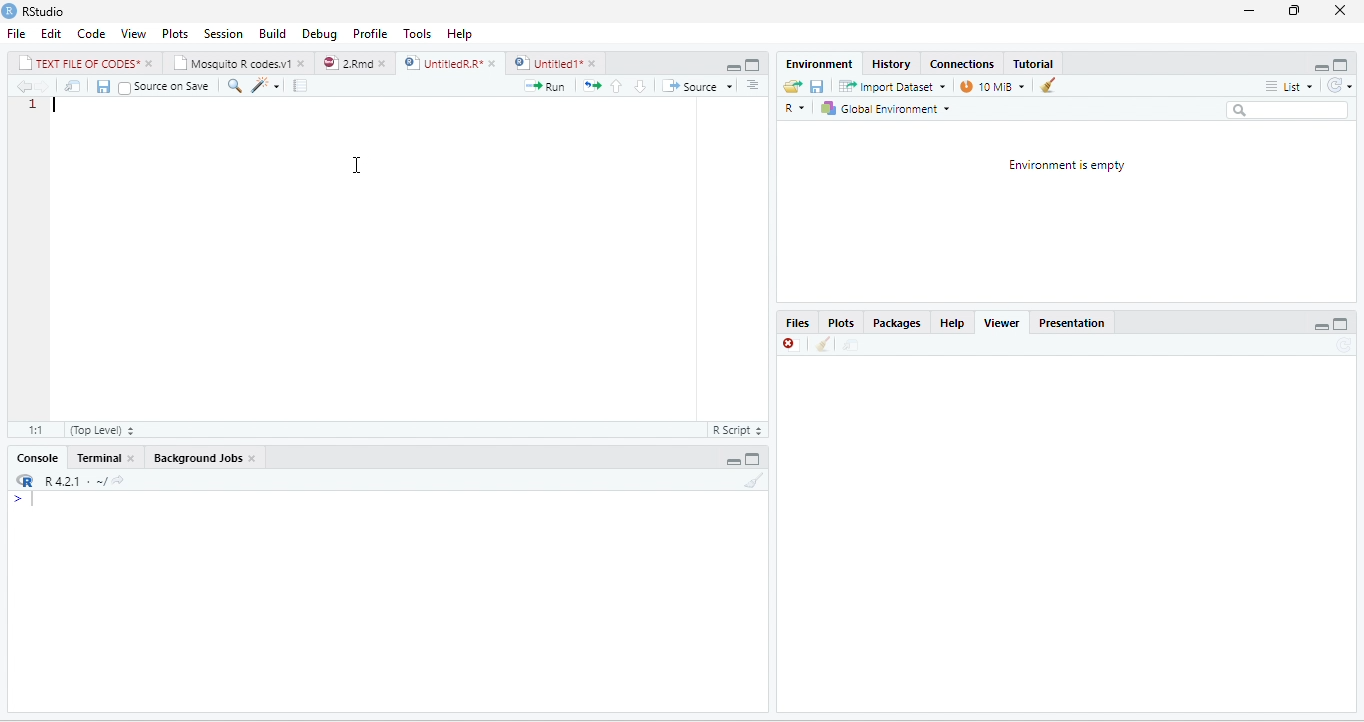  I want to click on close, so click(150, 62).